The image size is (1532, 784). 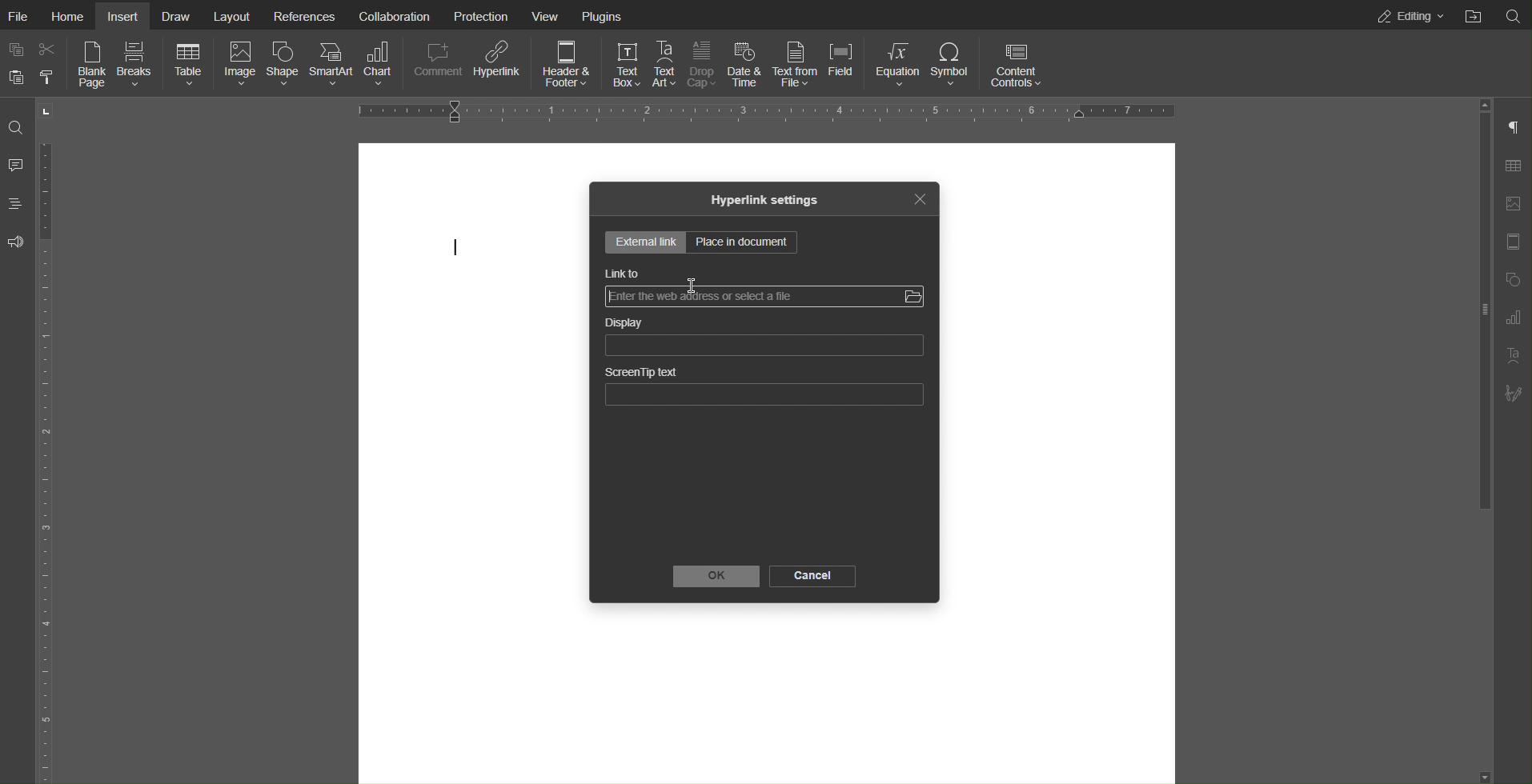 What do you see at coordinates (1510, 358) in the screenshot?
I see `Text Art` at bounding box center [1510, 358].